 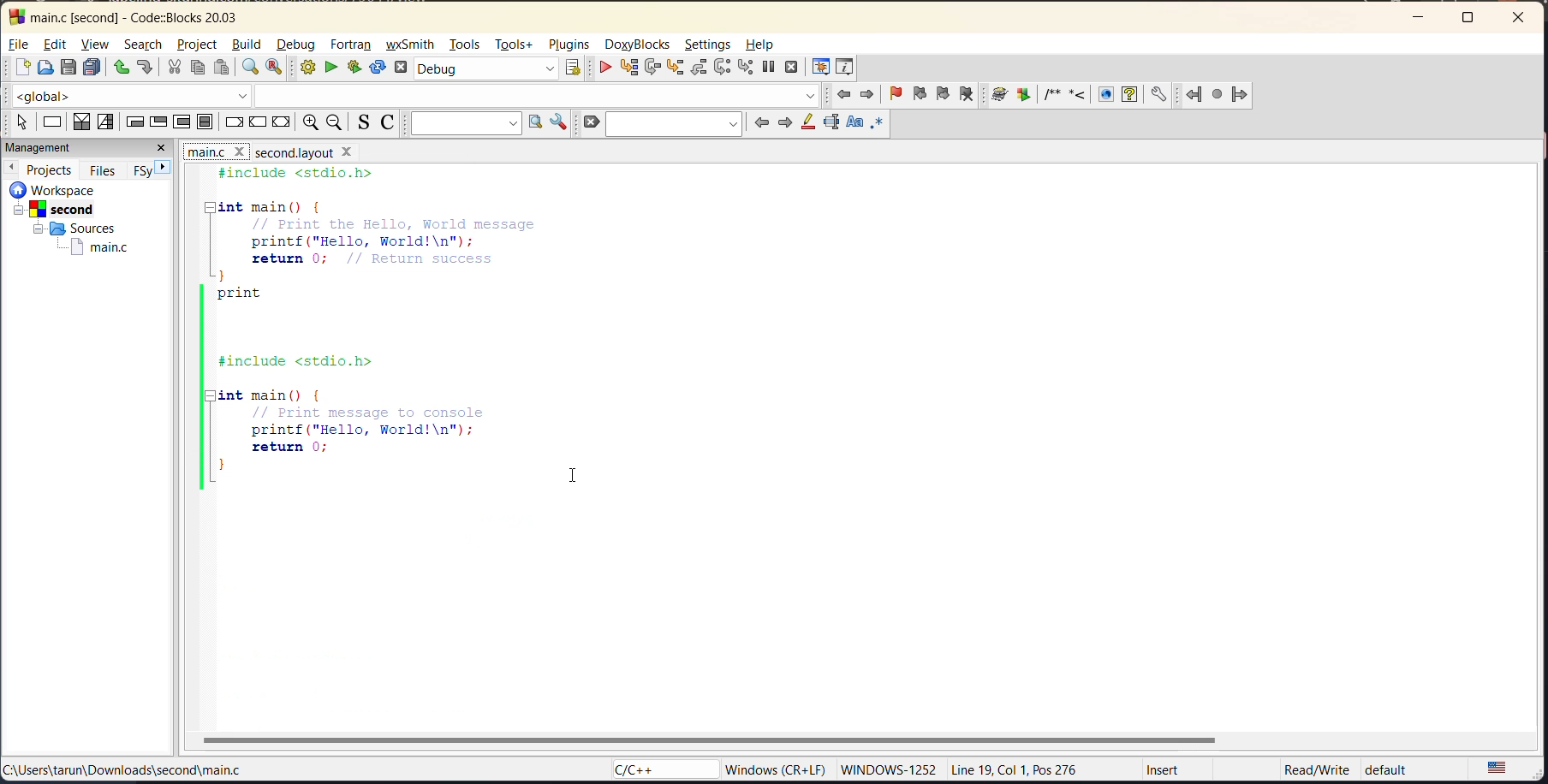 I want to click on run search, so click(x=536, y=124).